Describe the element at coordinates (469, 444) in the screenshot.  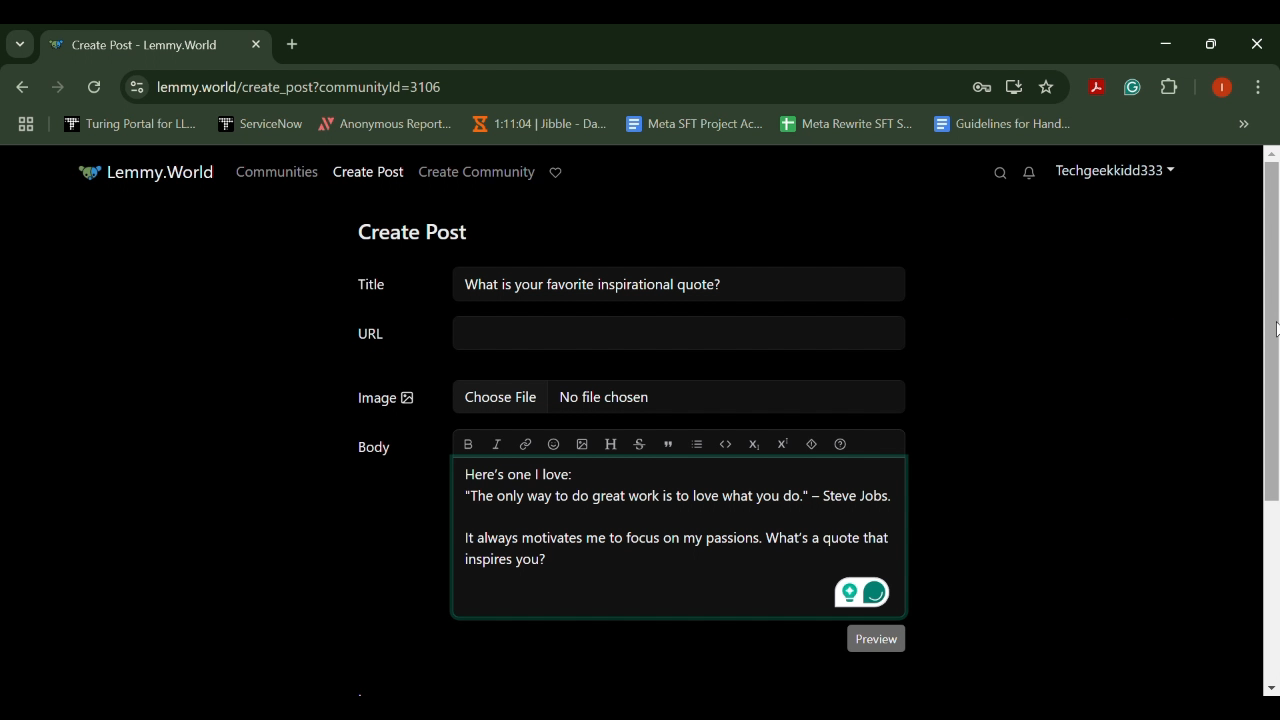
I see `bold` at that location.